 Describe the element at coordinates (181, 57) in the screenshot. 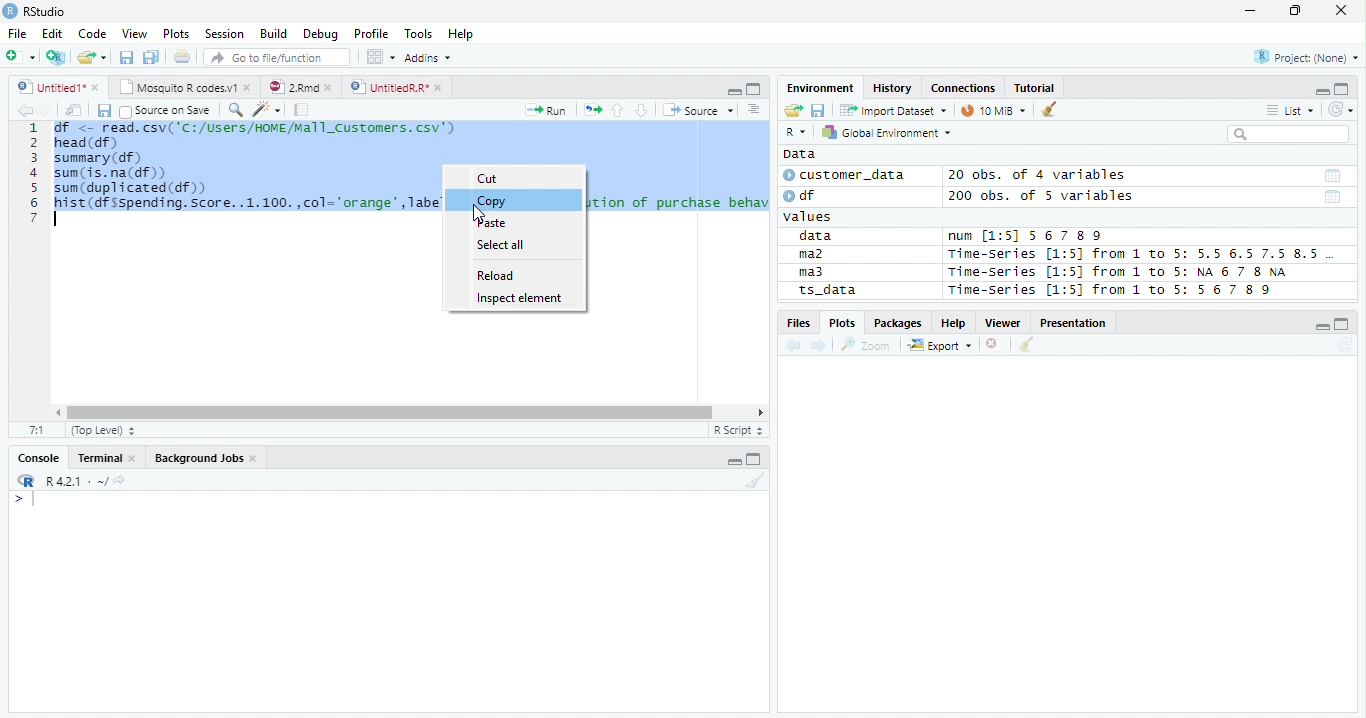

I see `Print` at that location.